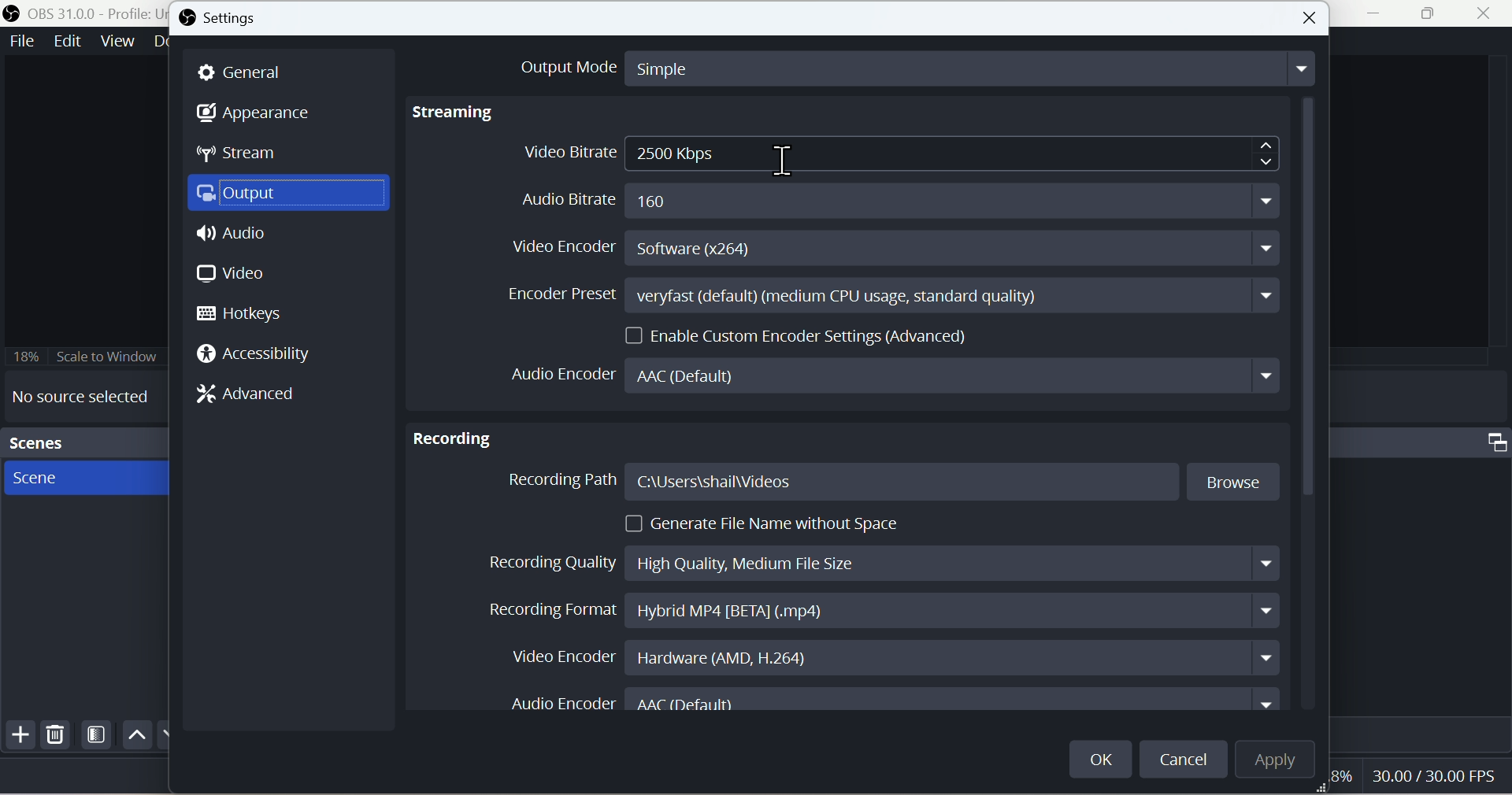 The height and width of the screenshot is (795, 1512). What do you see at coordinates (888, 197) in the screenshot?
I see `Audio Bitrate` at bounding box center [888, 197].